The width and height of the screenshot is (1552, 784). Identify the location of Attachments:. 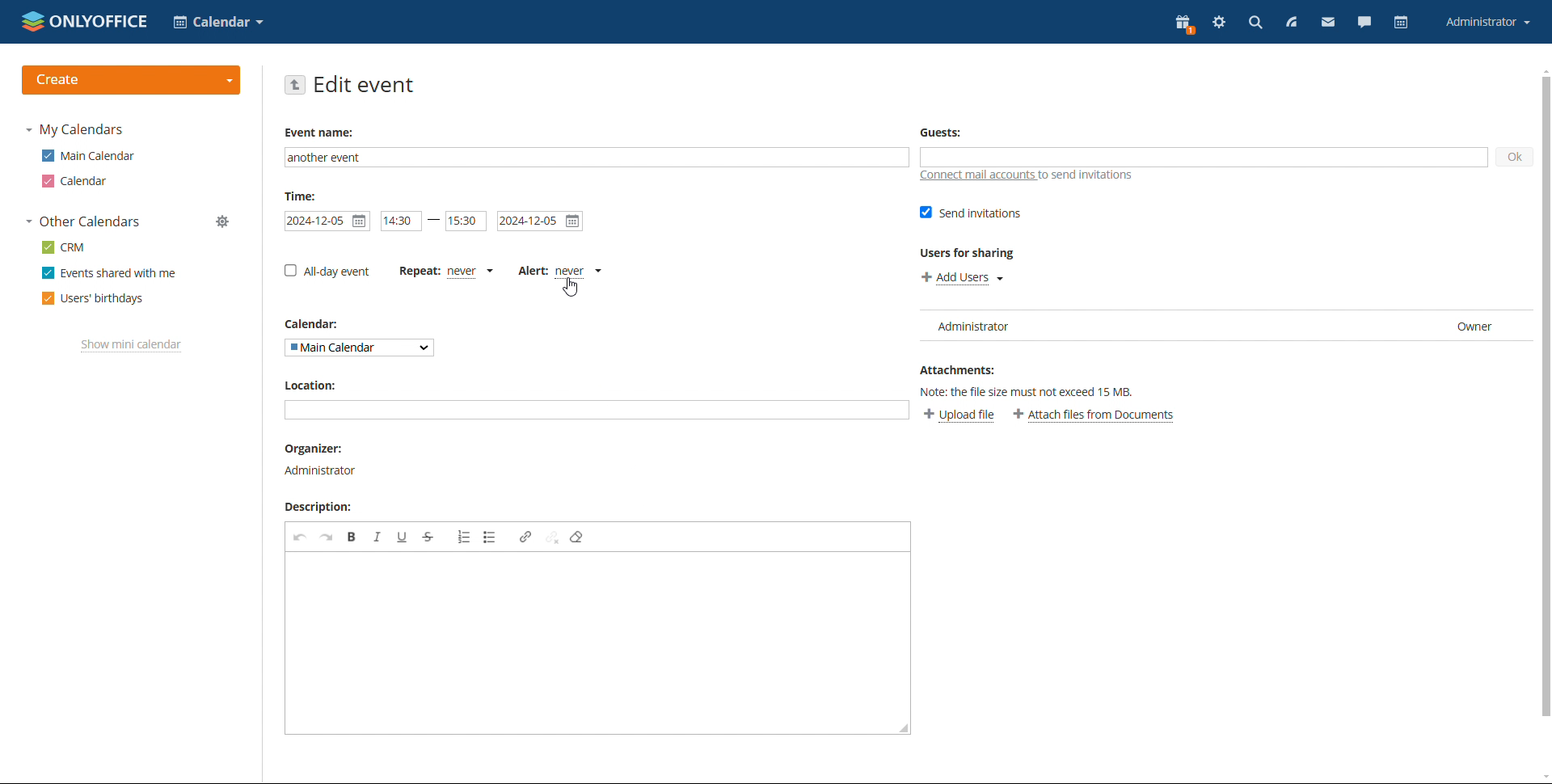
(958, 368).